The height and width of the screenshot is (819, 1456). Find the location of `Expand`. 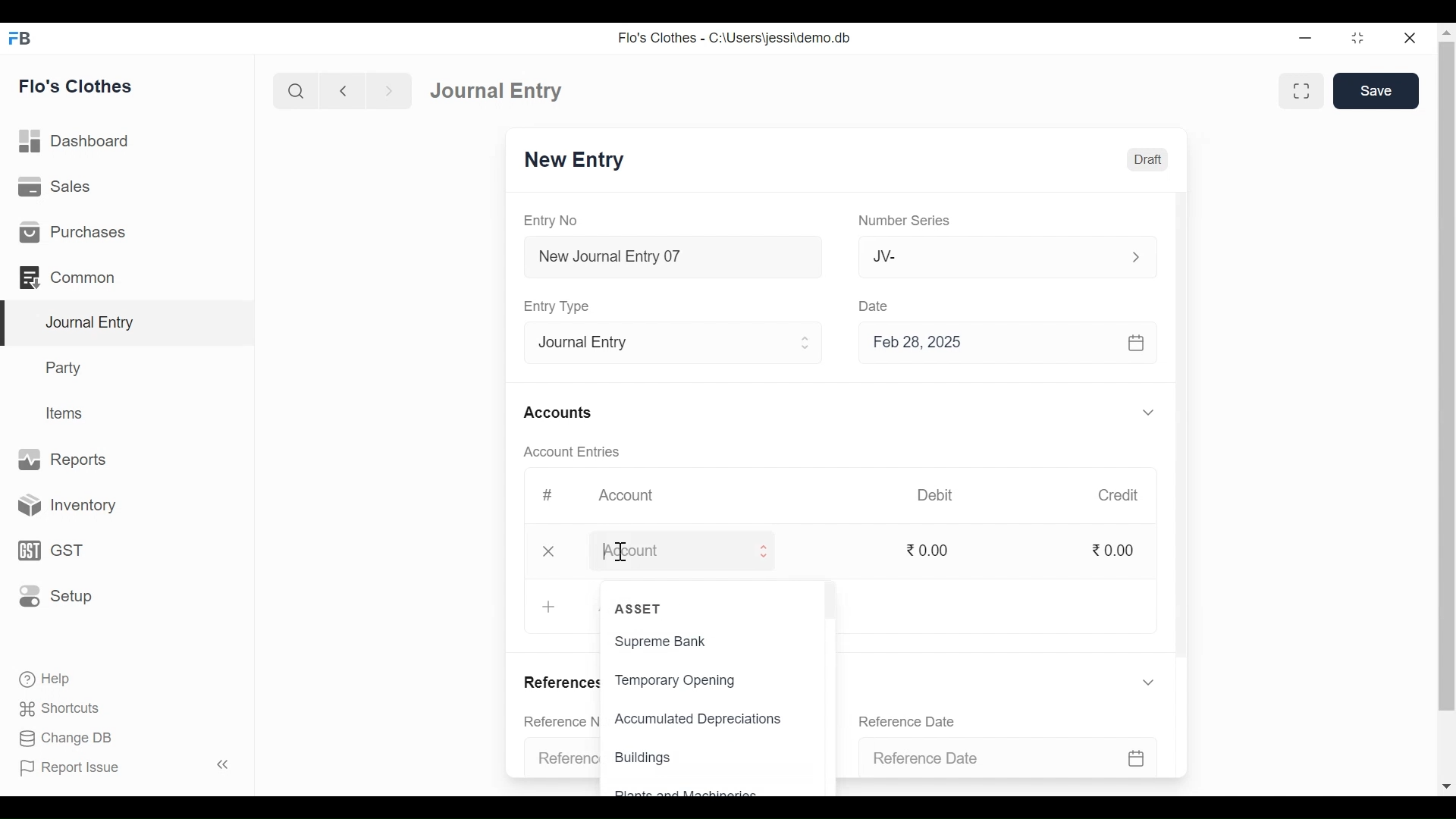

Expand is located at coordinates (1145, 682).